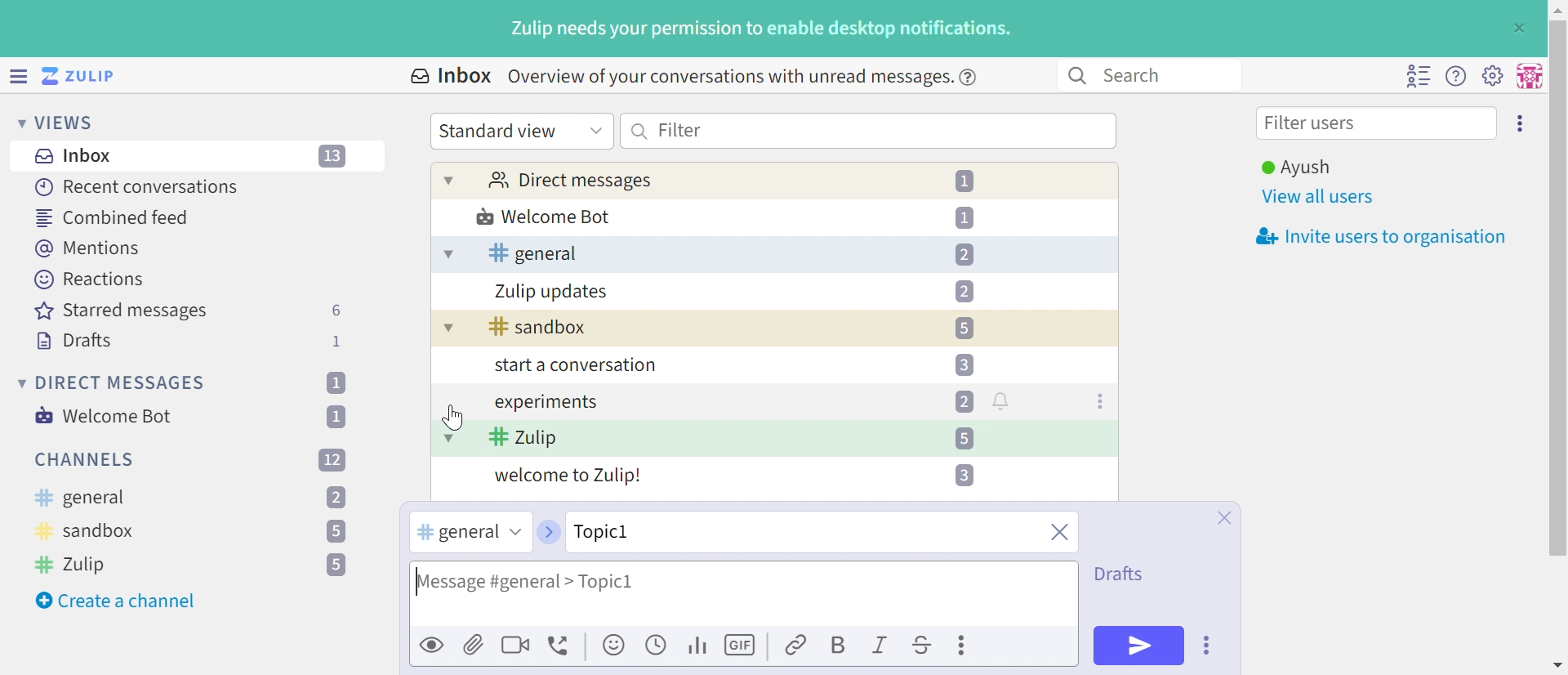 The height and width of the screenshot is (675, 1568). What do you see at coordinates (532, 253) in the screenshot?
I see `general` at bounding box center [532, 253].